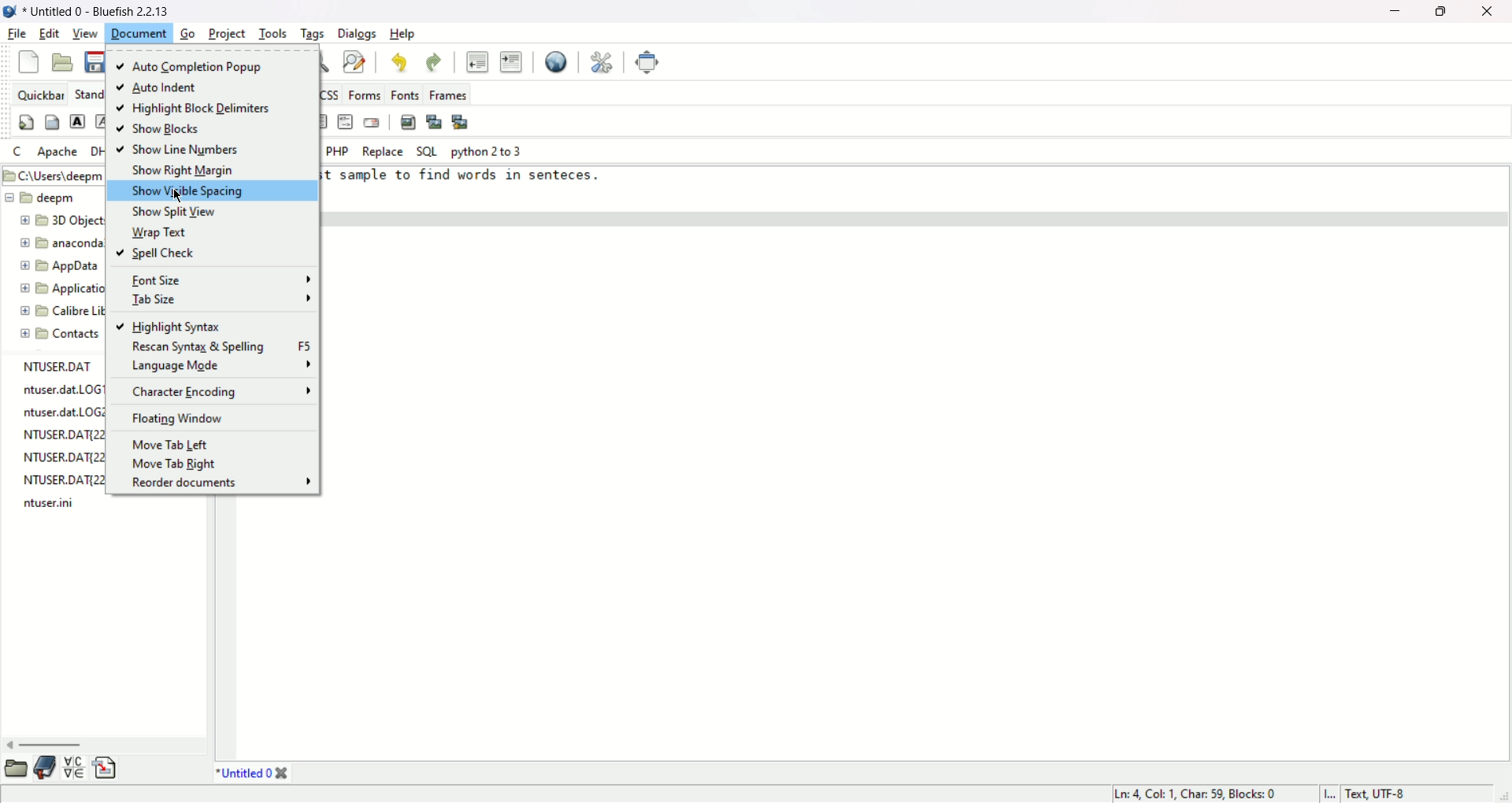 Image resolution: width=1512 pixels, height=803 pixels. Describe the element at coordinates (54, 312) in the screenshot. I see `Calibre Library` at that location.